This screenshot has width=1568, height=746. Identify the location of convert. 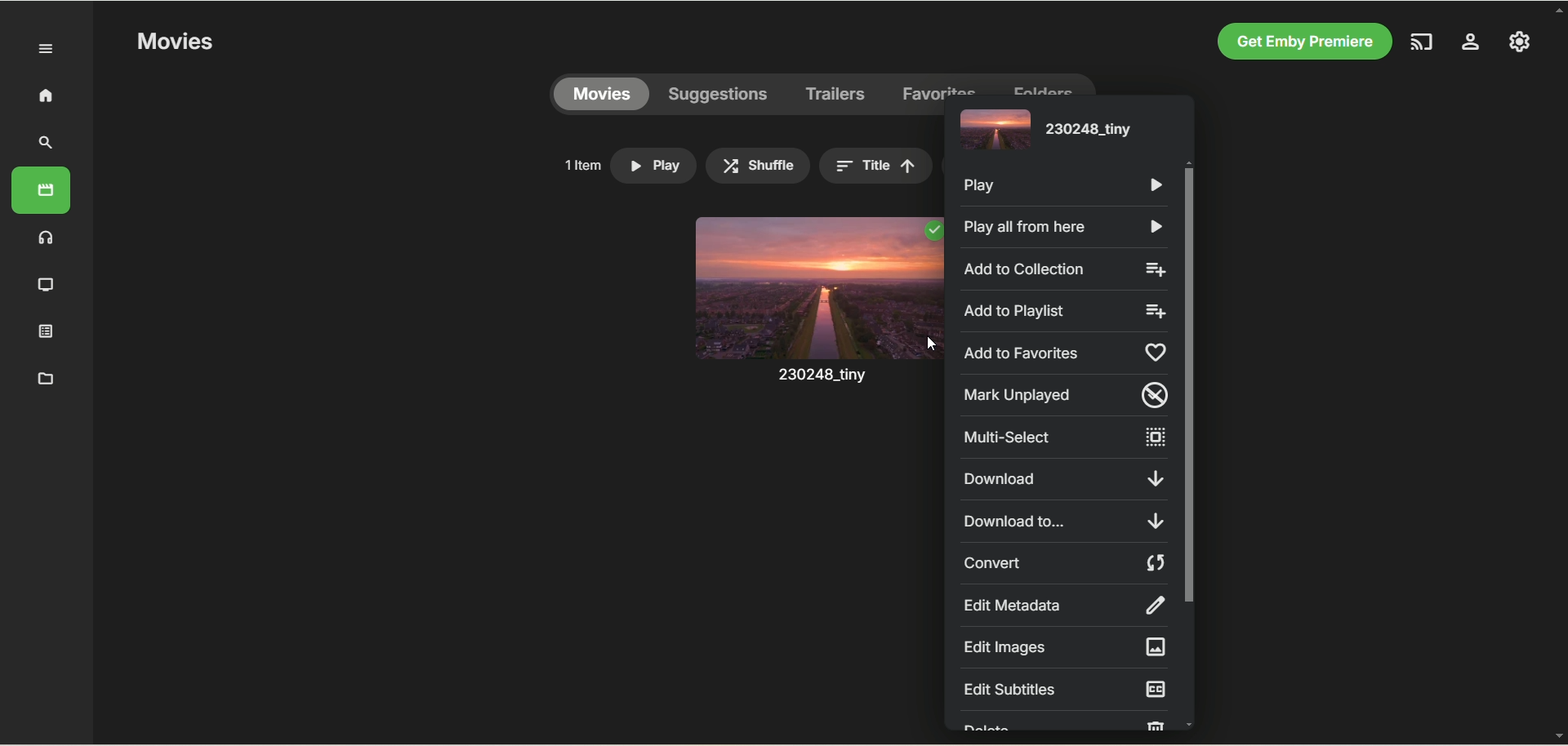
(1067, 563).